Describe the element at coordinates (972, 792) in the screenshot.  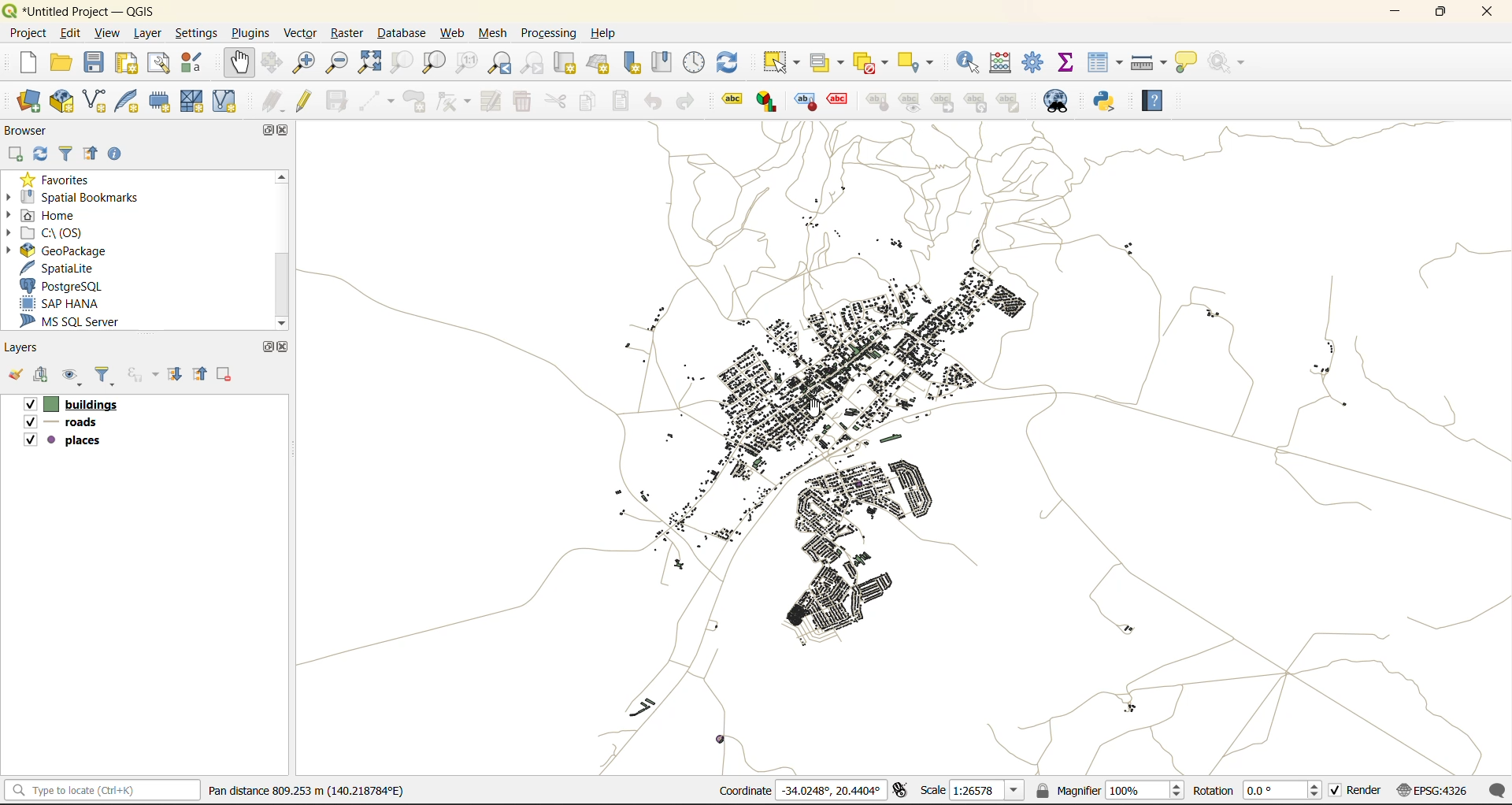
I see `scale` at that location.